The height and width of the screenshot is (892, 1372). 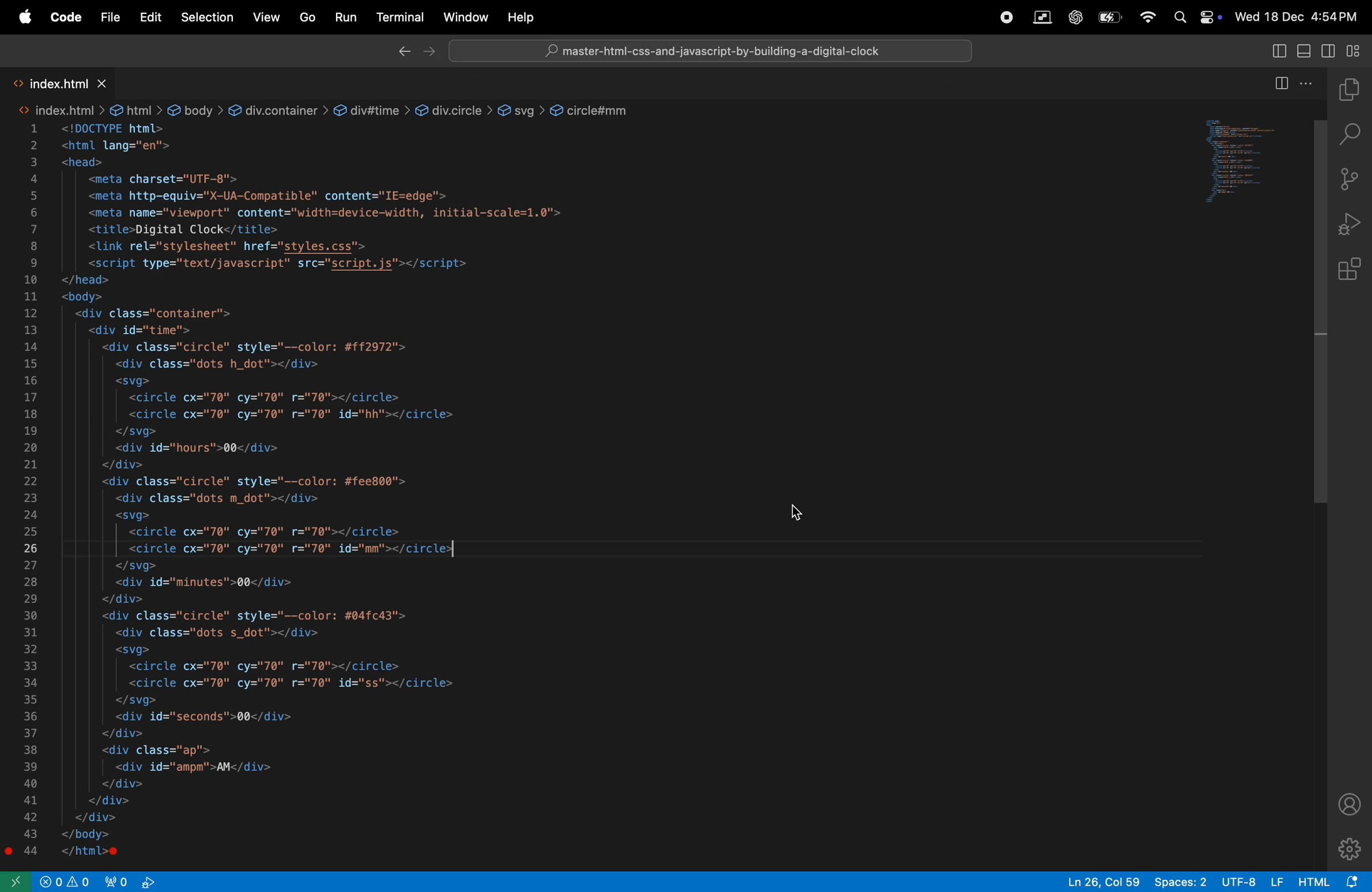 What do you see at coordinates (525, 18) in the screenshot?
I see `Help` at bounding box center [525, 18].